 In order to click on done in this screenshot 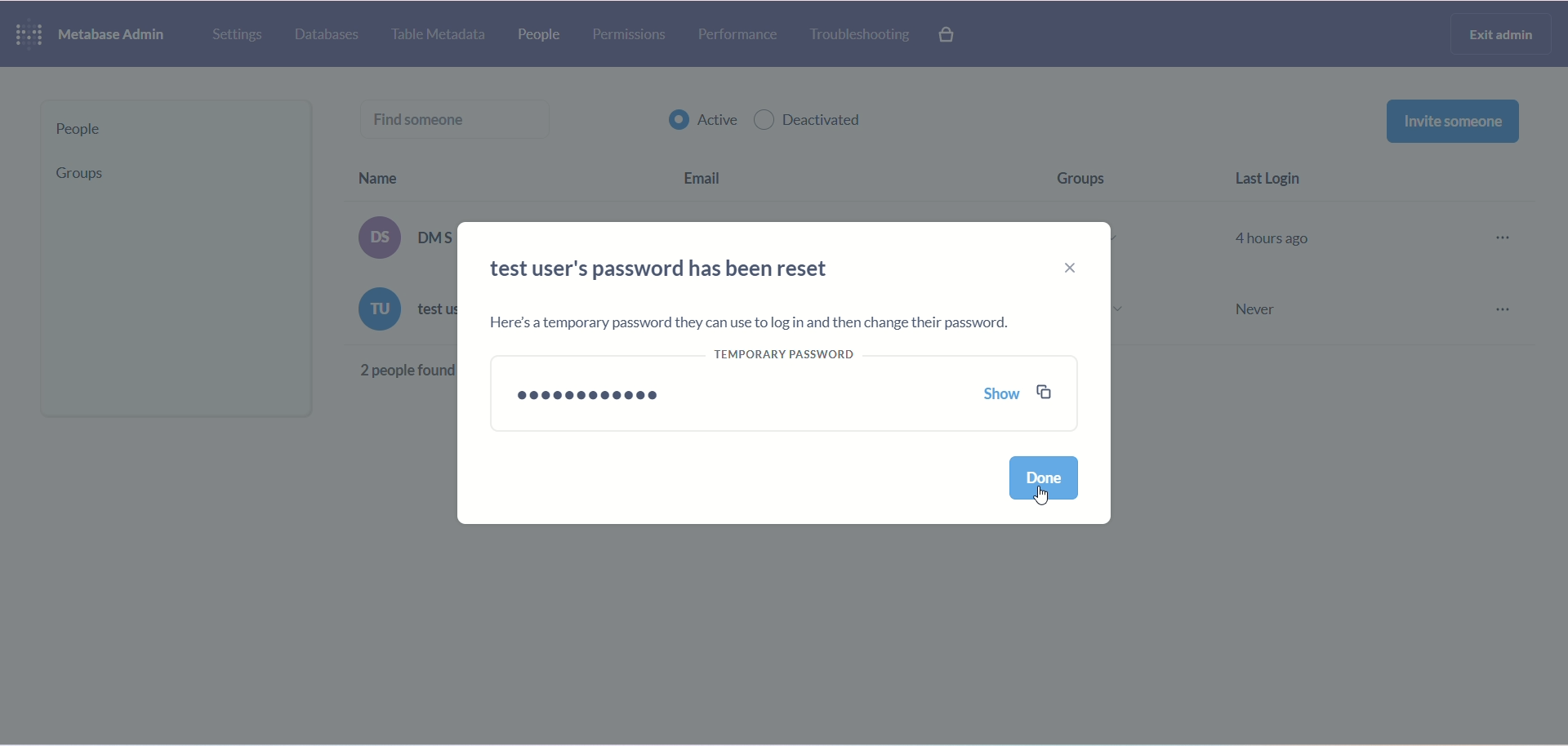, I will do `click(1047, 482)`.